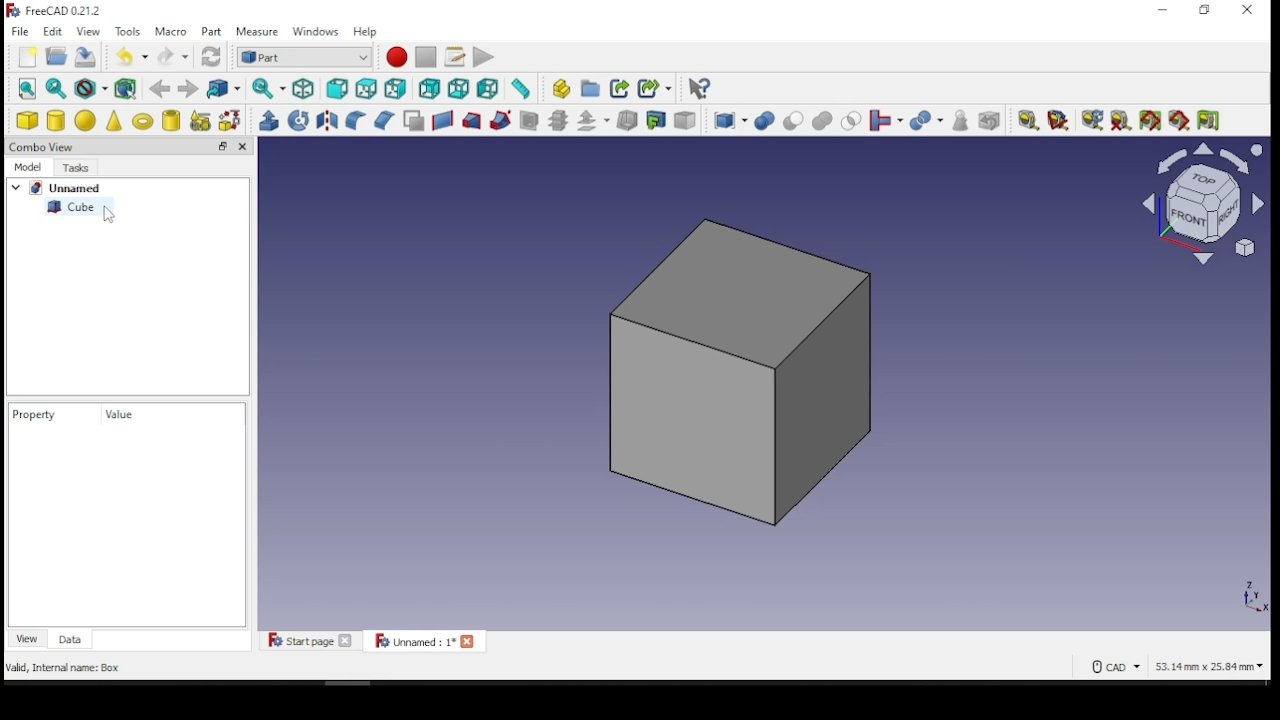 The image size is (1280, 720). Describe the element at coordinates (962, 121) in the screenshot. I see `check geometry` at that location.